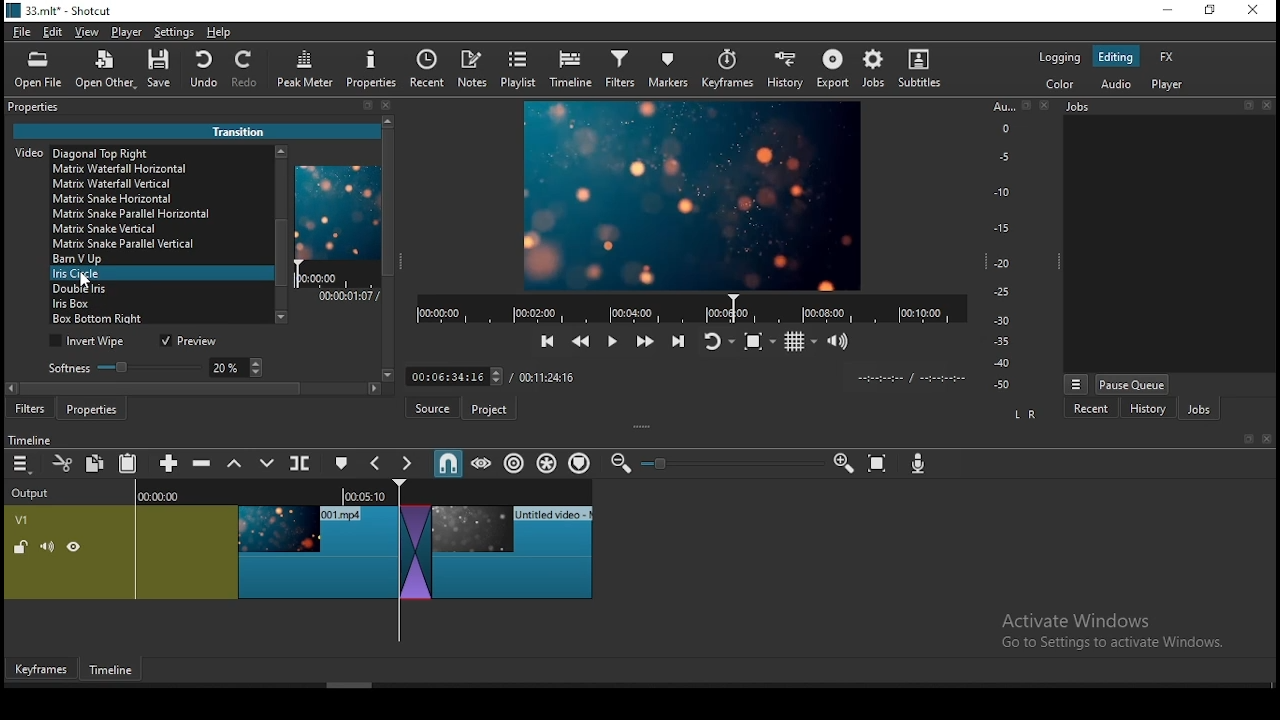 The width and height of the screenshot is (1280, 720). Describe the element at coordinates (23, 33) in the screenshot. I see `file` at that location.